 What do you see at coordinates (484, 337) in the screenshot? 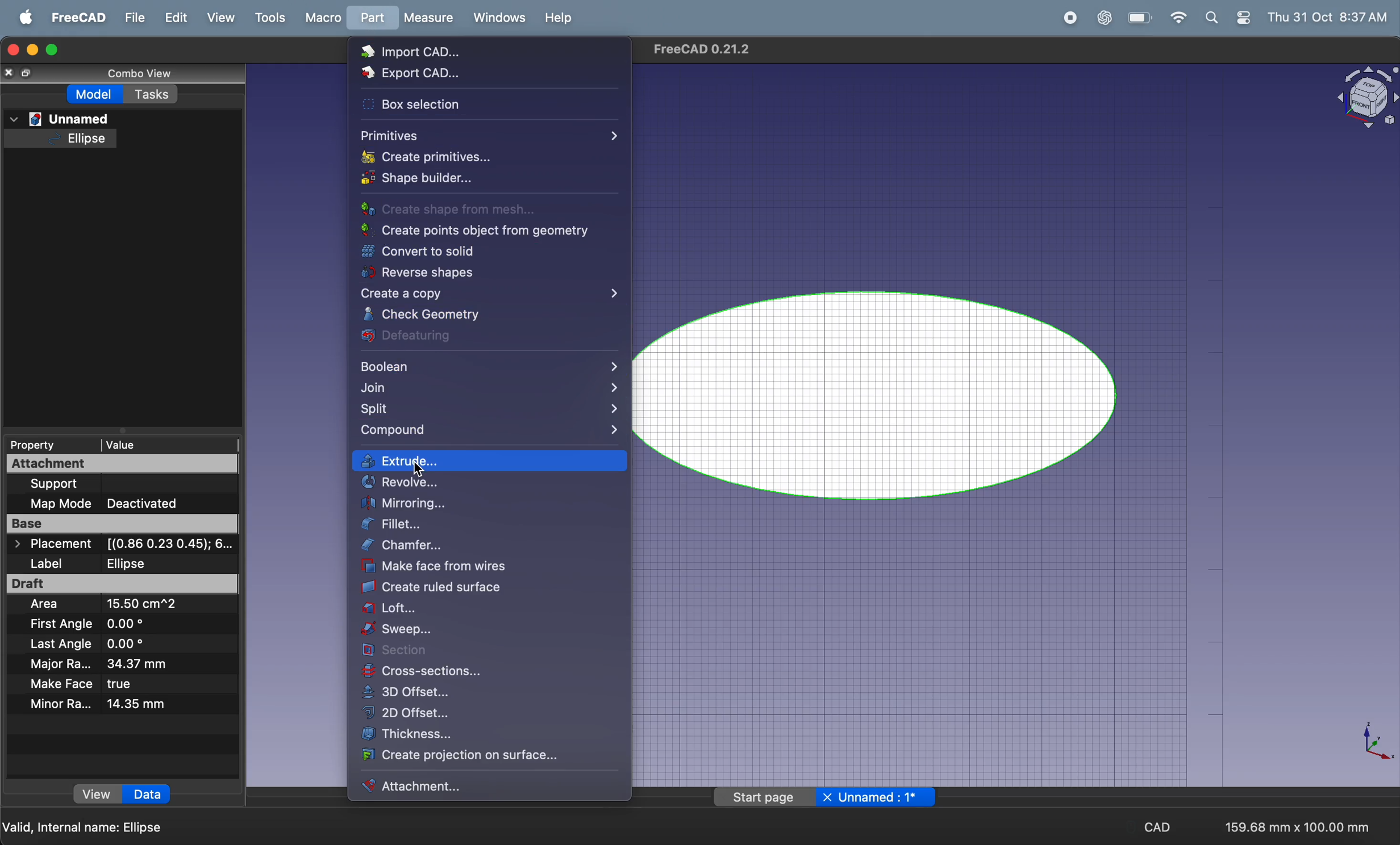
I see `defeaturing` at bounding box center [484, 337].